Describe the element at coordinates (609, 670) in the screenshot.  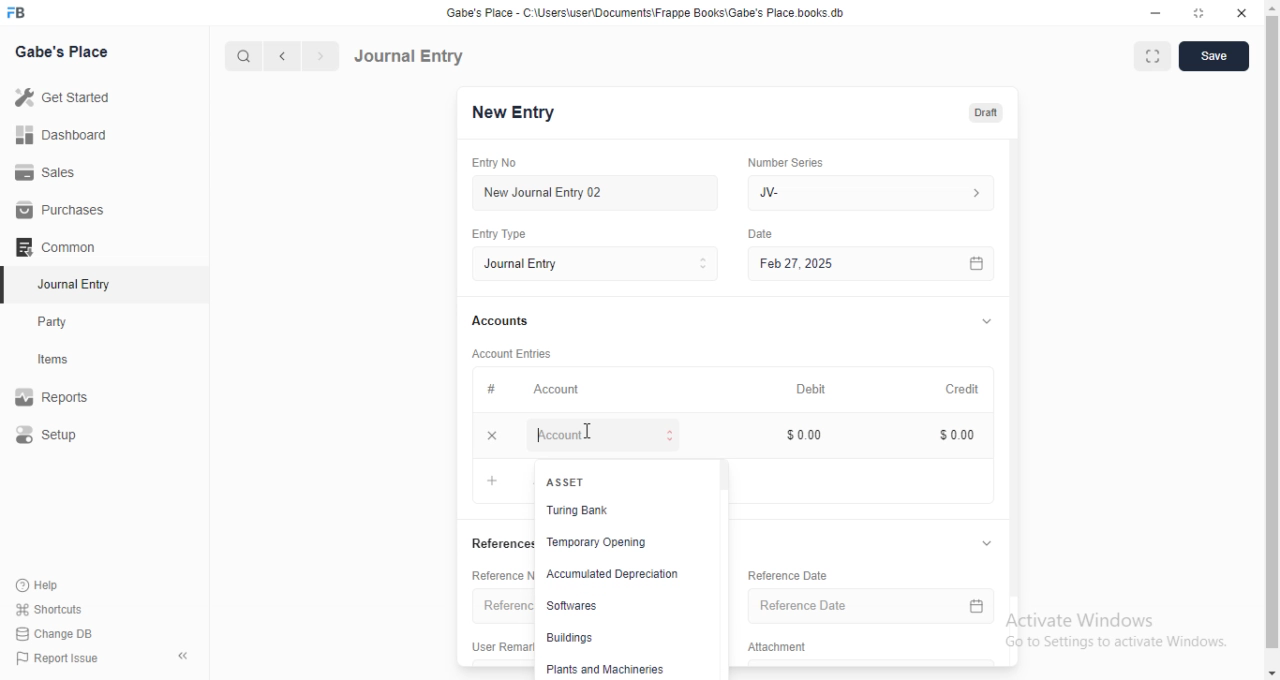
I see `Plants and Machineries` at that location.